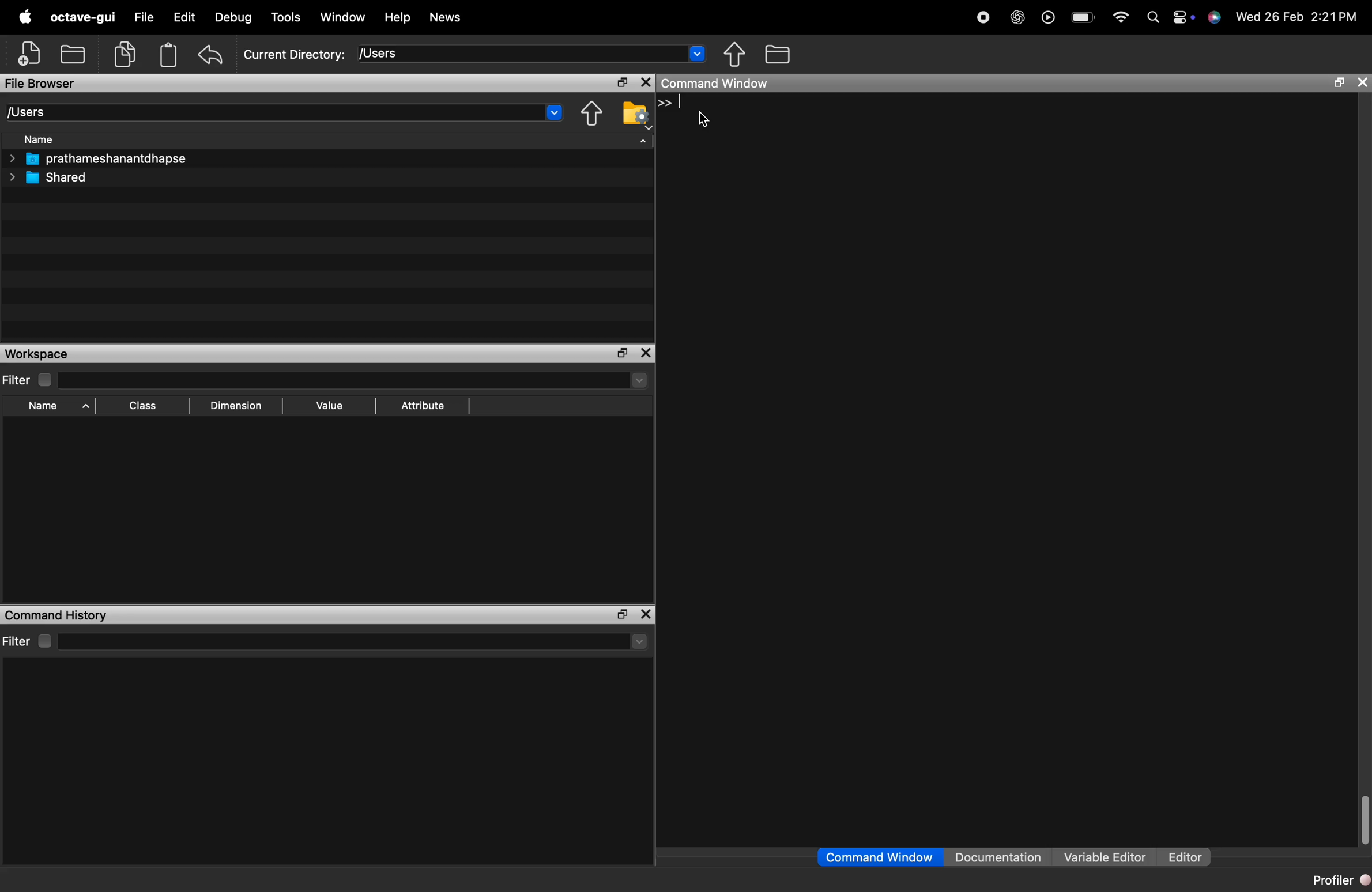 Image resolution: width=1372 pixels, height=892 pixels. What do you see at coordinates (1005, 486) in the screenshot?
I see `empty command history` at bounding box center [1005, 486].